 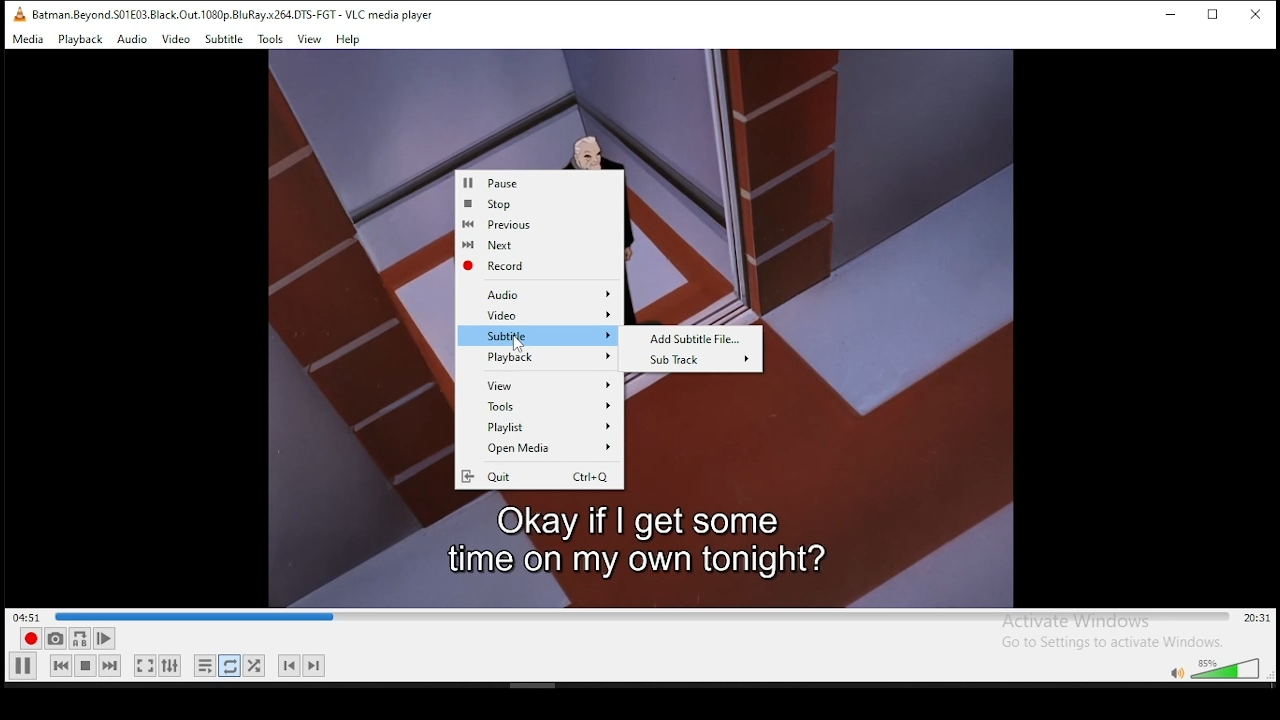 What do you see at coordinates (349, 41) in the screenshot?
I see `Help` at bounding box center [349, 41].